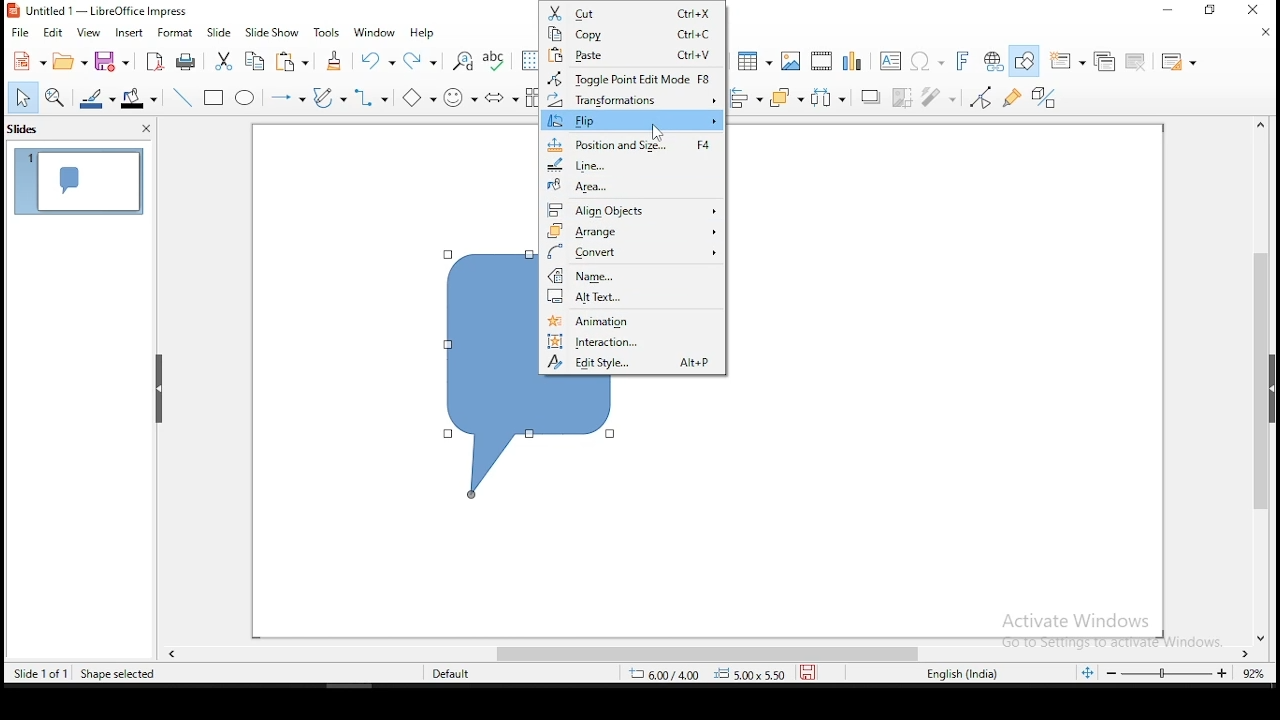  I want to click on arrange, so click(632, 230).